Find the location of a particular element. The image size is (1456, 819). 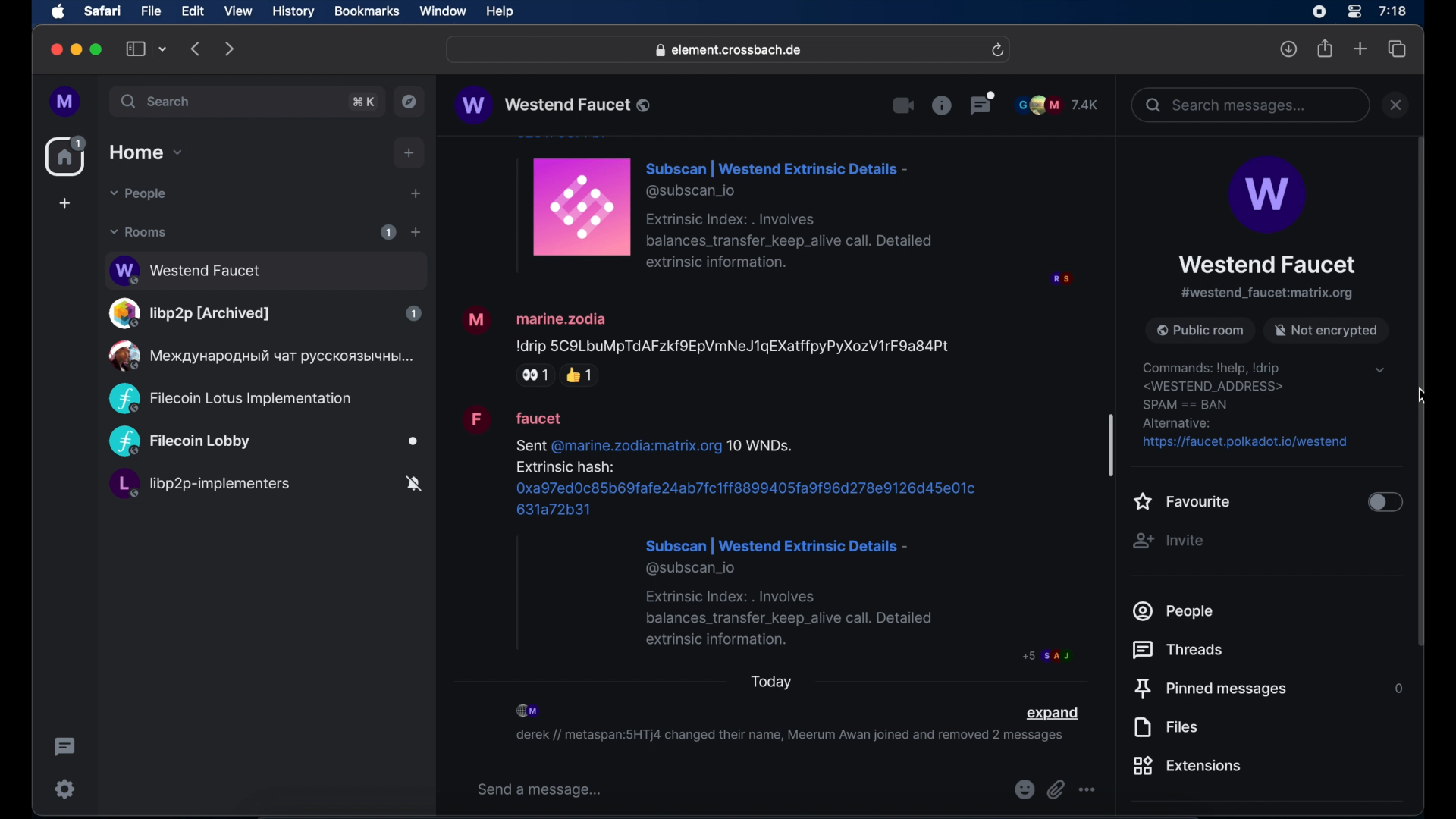

thread activity is located at coordinates (66, 747).